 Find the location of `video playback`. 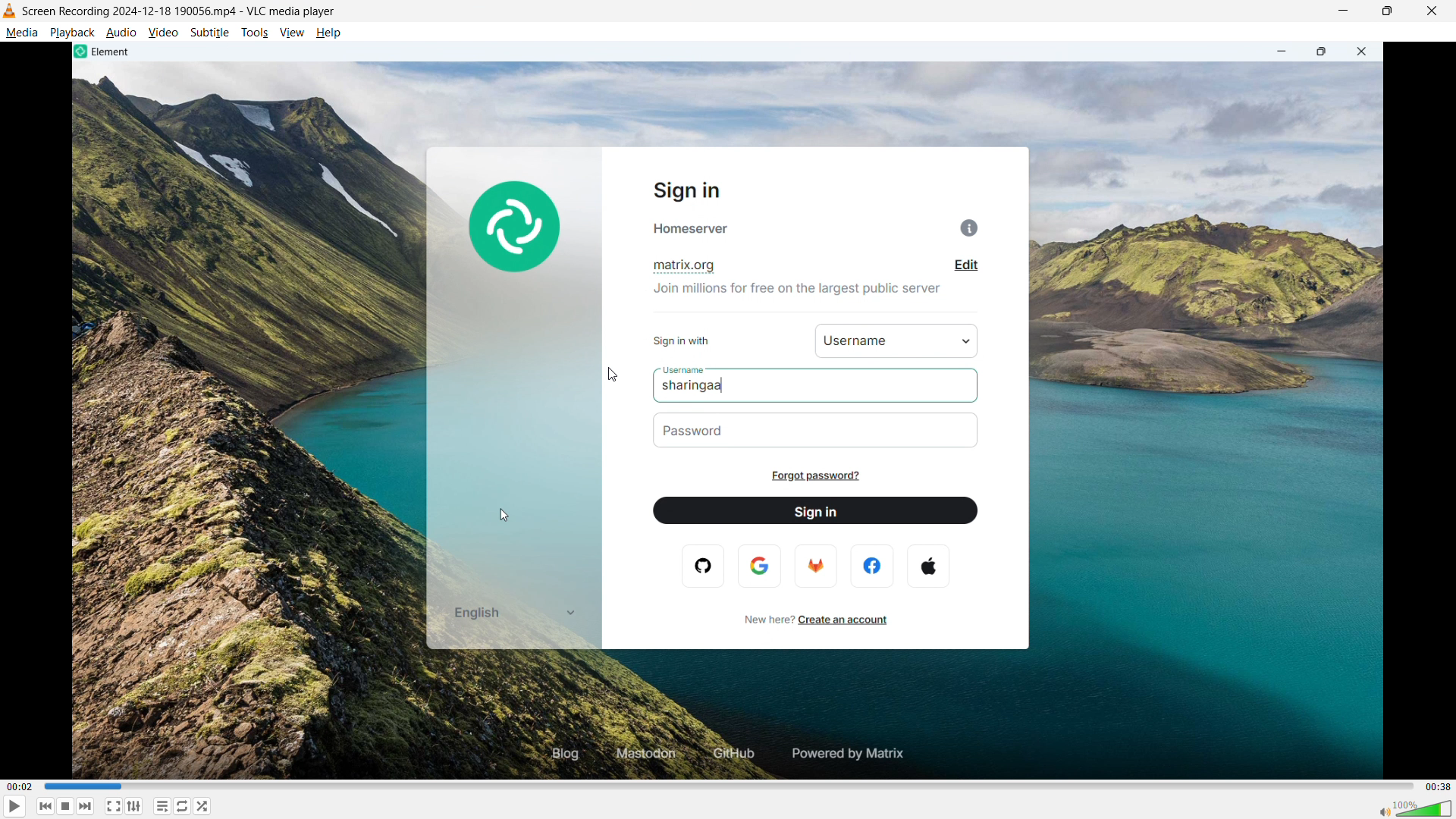

video playback is located at coordinates (728, 409).